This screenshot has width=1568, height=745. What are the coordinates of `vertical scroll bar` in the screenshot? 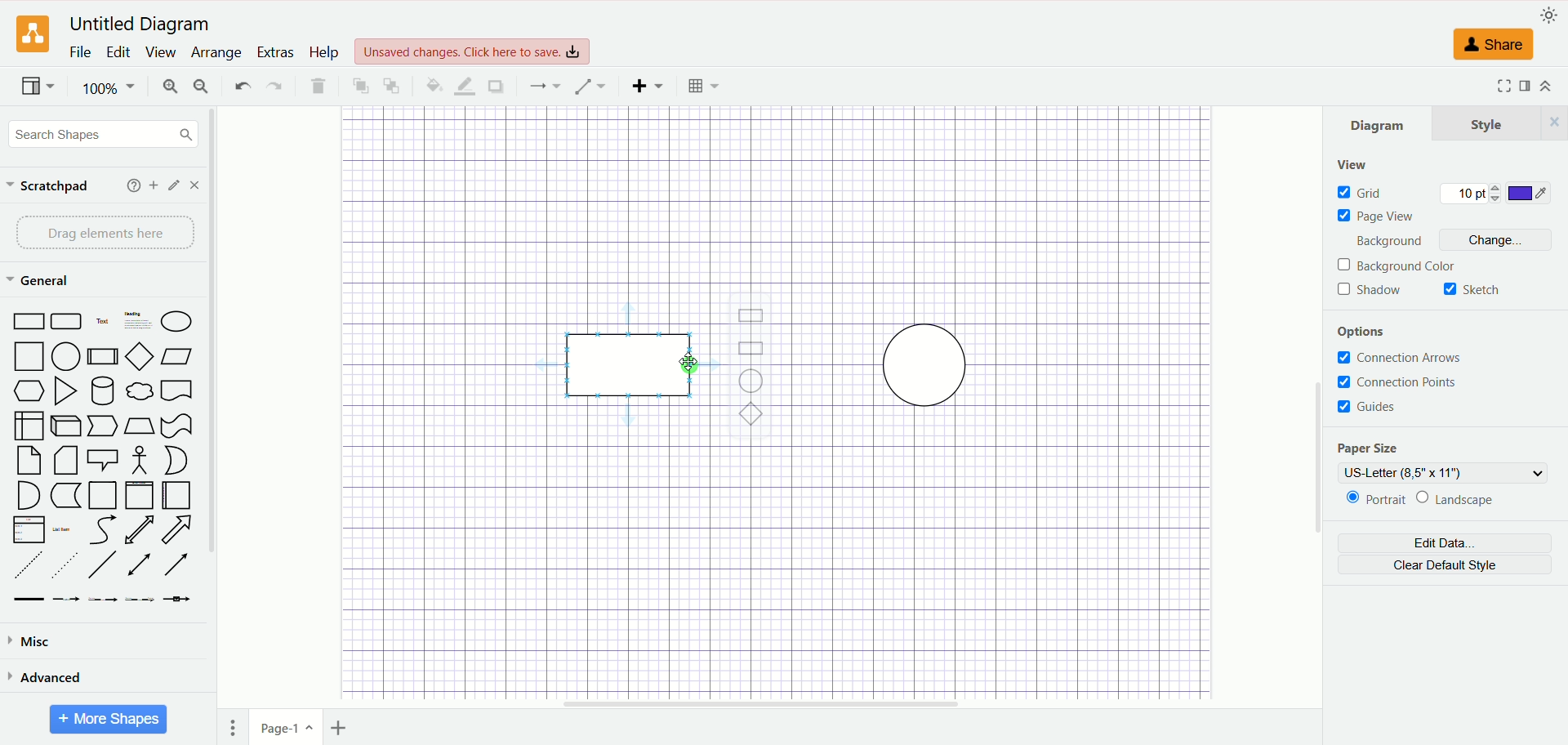 It's located at (210, 426).